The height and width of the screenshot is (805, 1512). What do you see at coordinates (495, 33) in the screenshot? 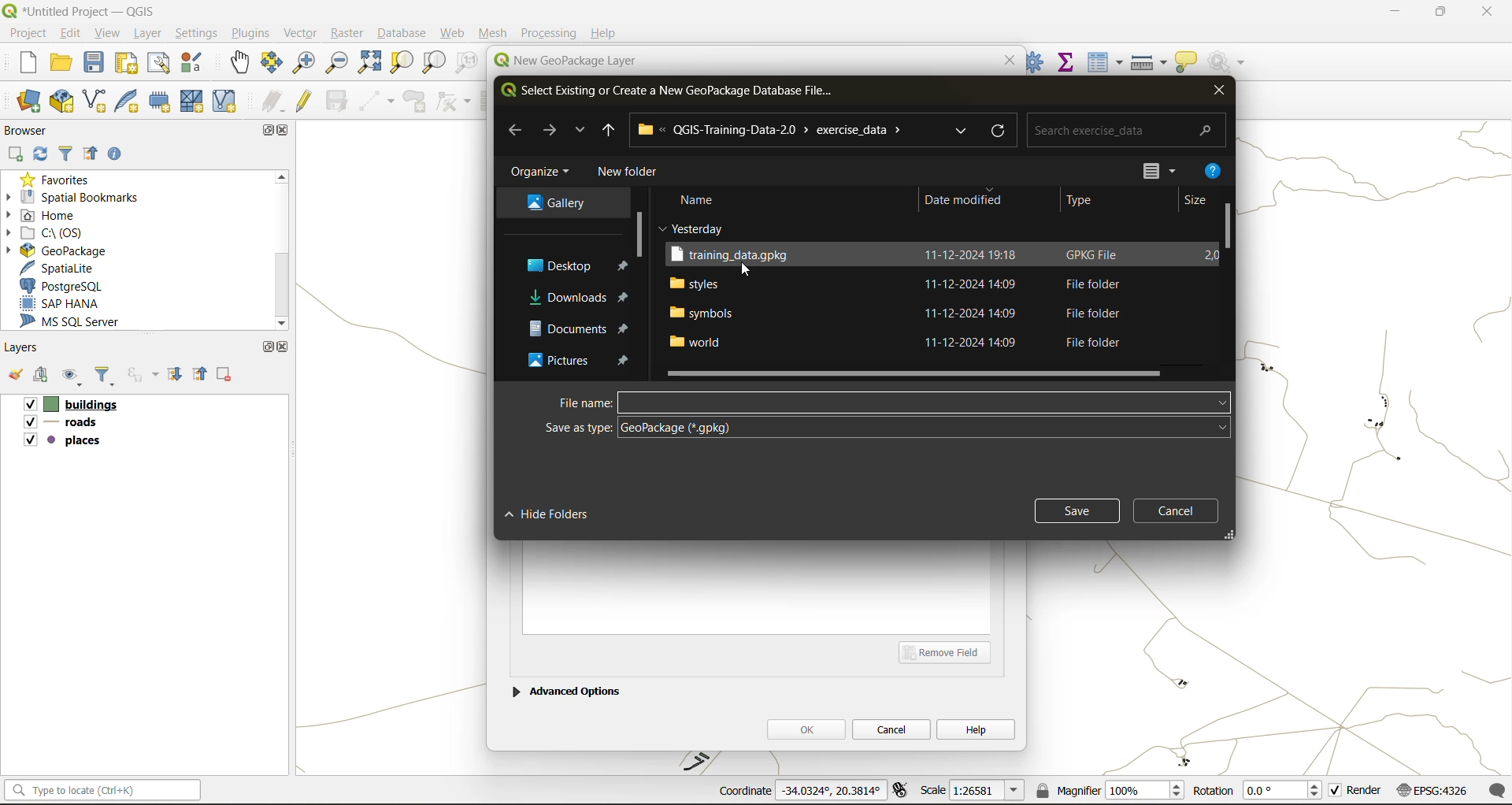
I see `mesh` at bounding box center [495, 33].